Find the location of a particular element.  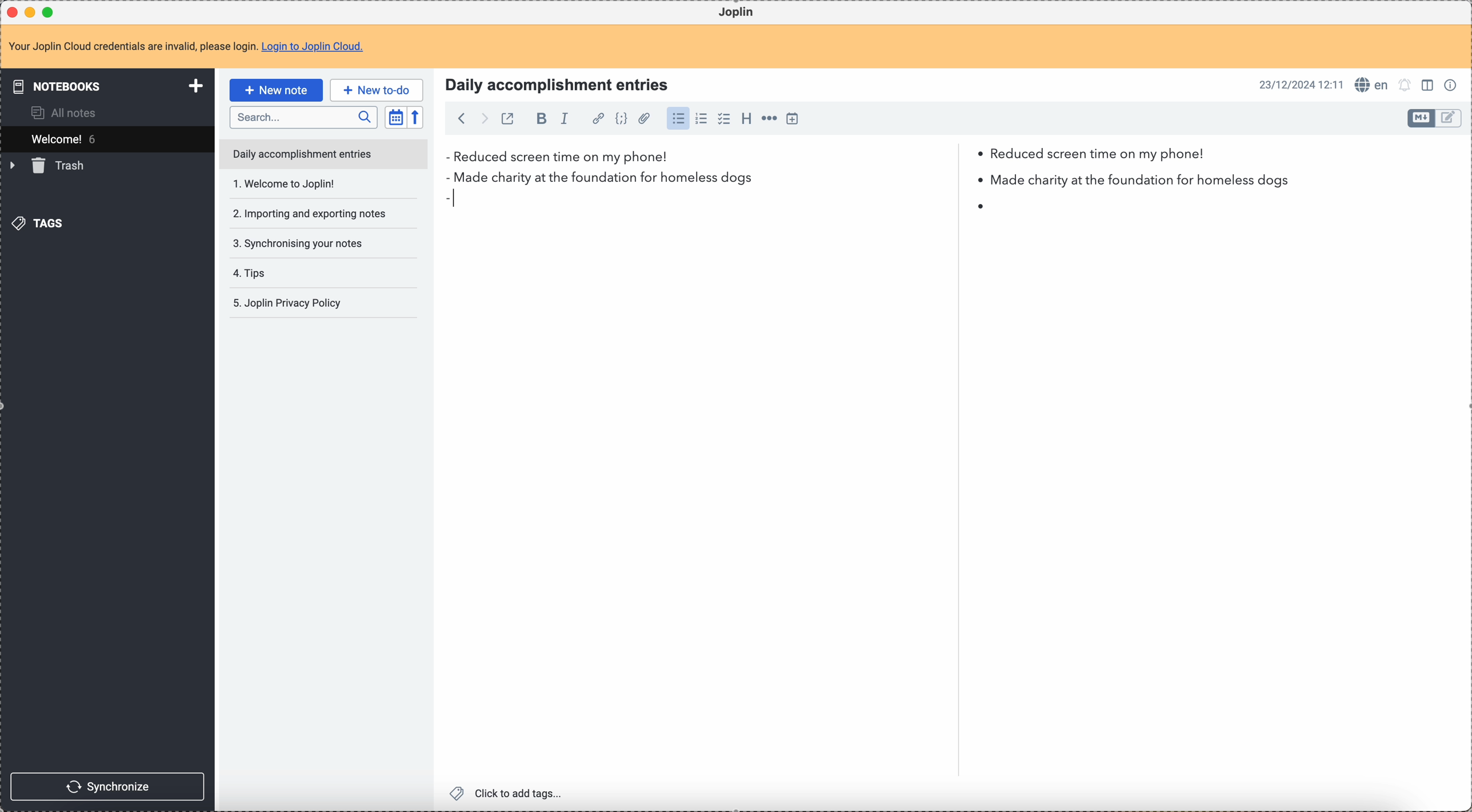

Title is located at coordinates (555, 83).